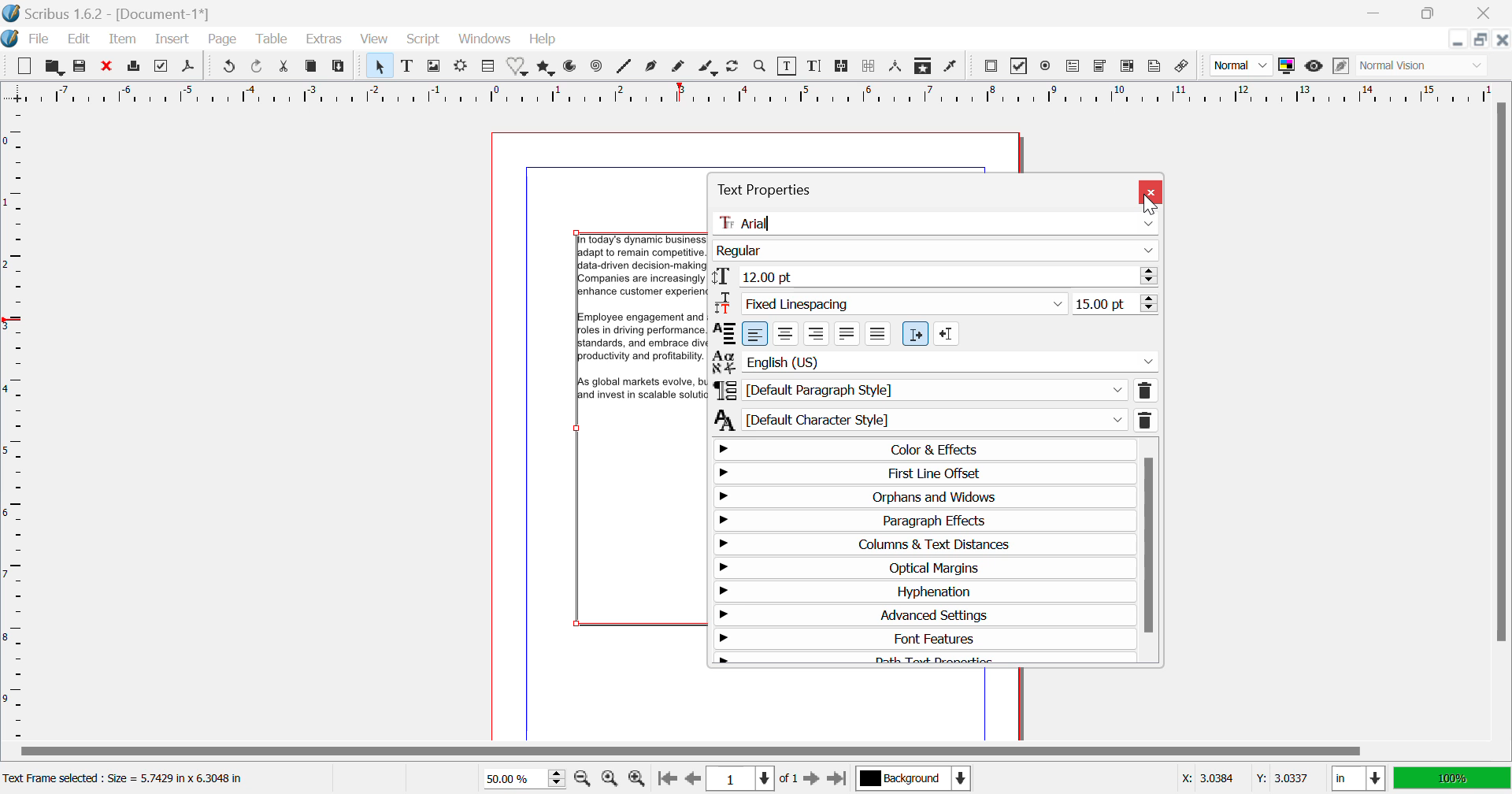 The image size is (1512, 794). Describe the element at coordinates (381, 65) in the screenshot. I see `Select` at that location.